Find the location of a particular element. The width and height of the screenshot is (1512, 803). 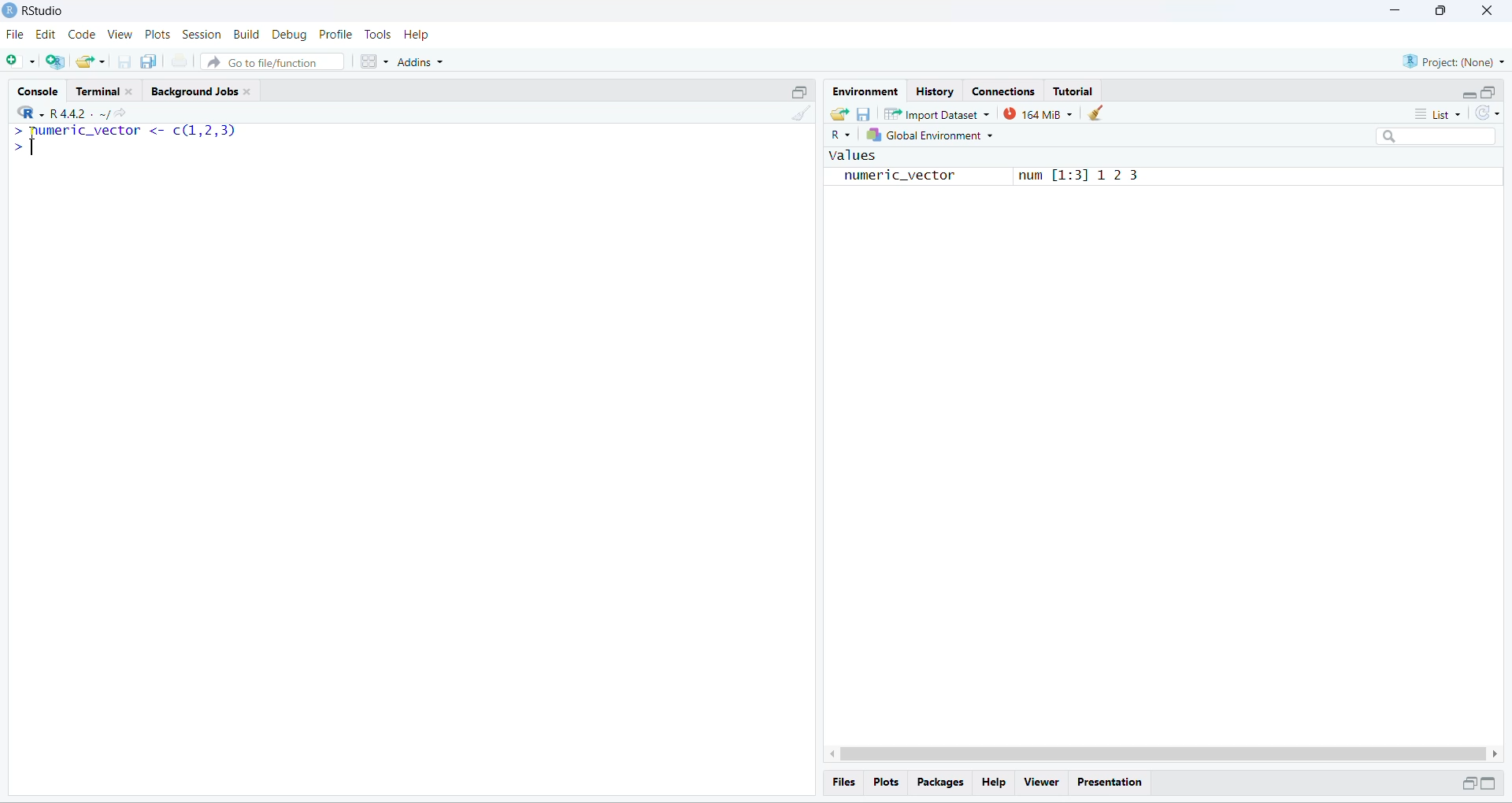

Code is located at coordinates (80, 35).